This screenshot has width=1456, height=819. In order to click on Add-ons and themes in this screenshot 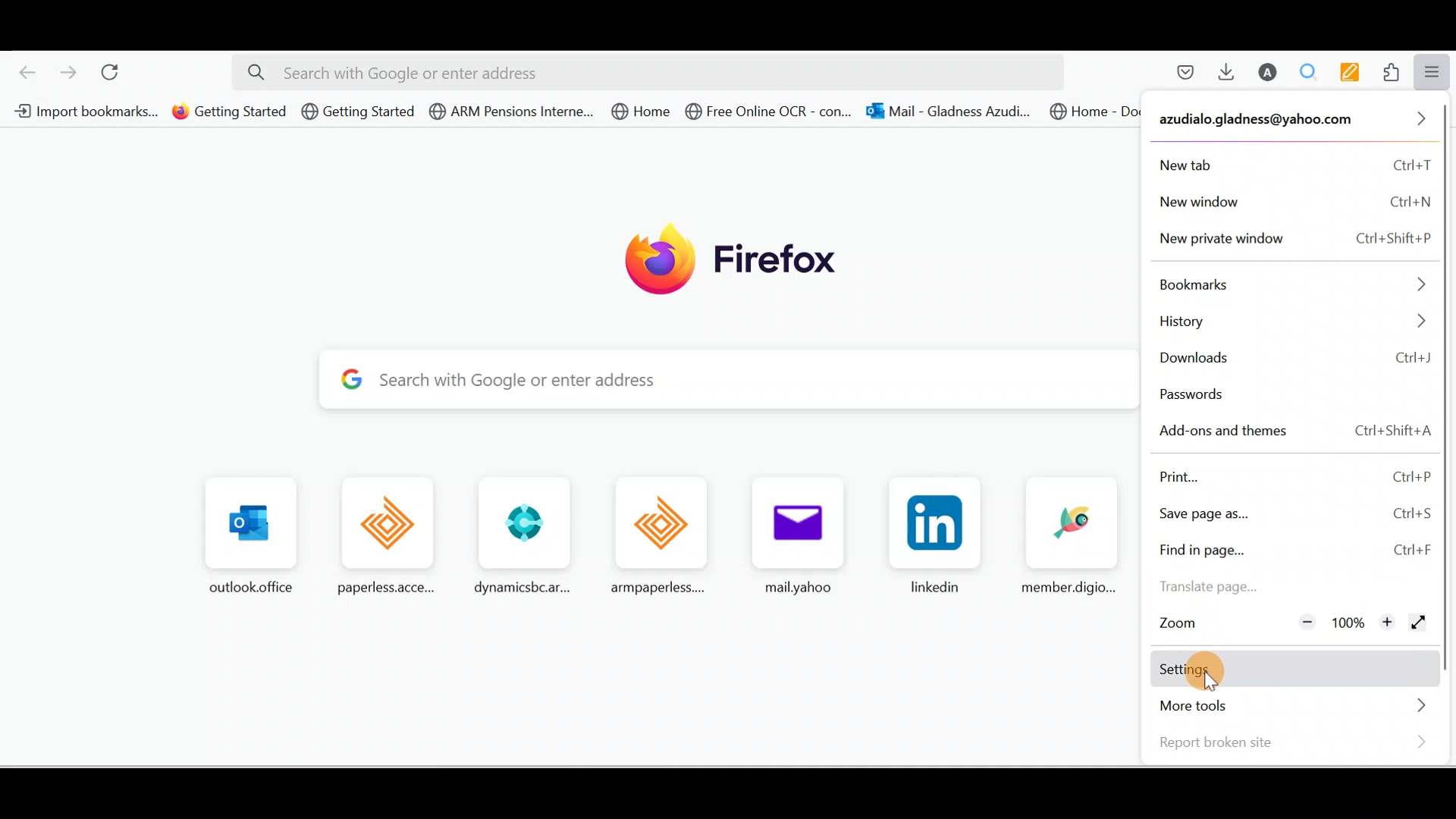, I will do `click(1288, 434)`.